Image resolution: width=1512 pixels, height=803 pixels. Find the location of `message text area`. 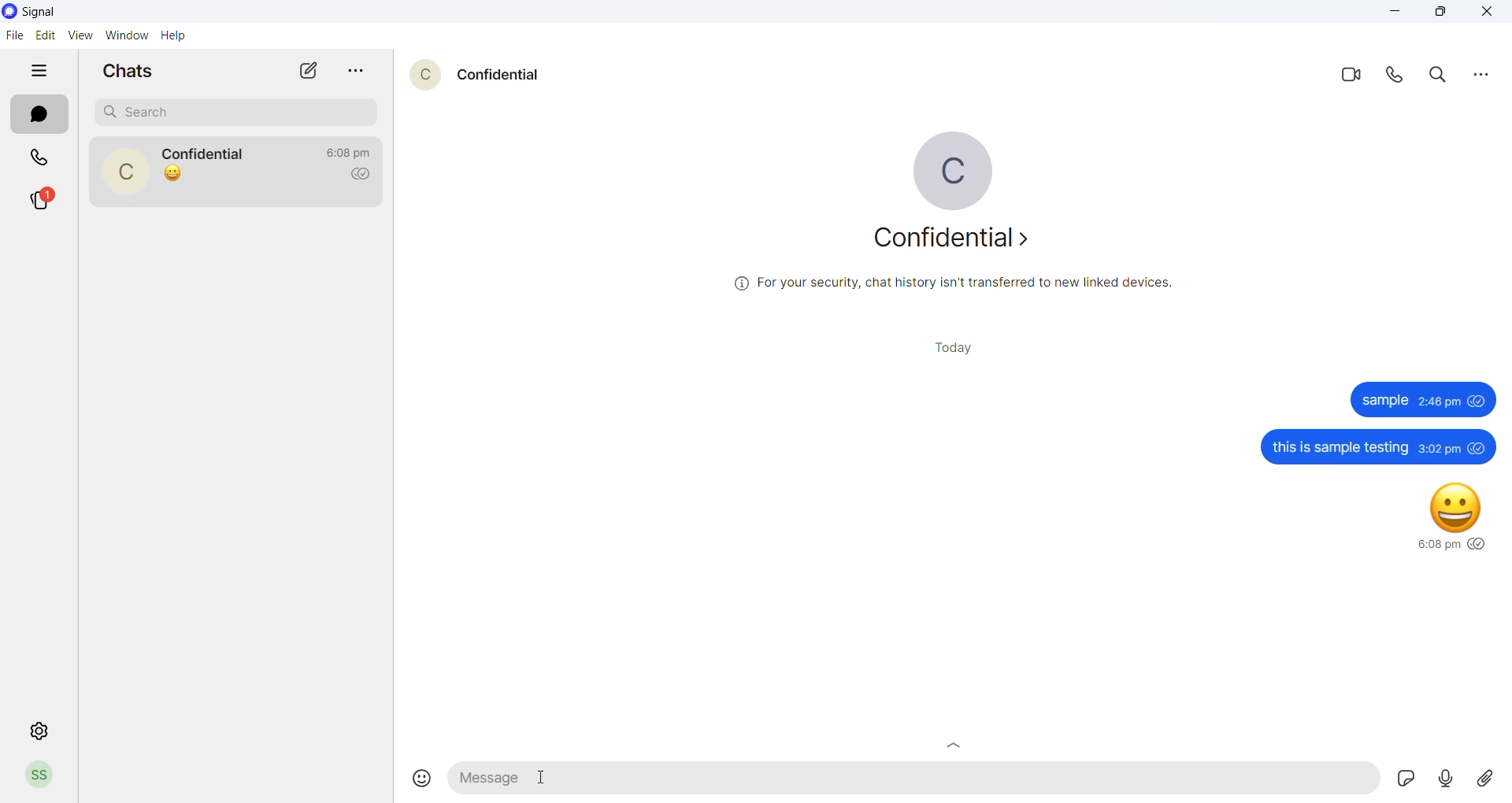

message text area is located at coordinates (918, 777).